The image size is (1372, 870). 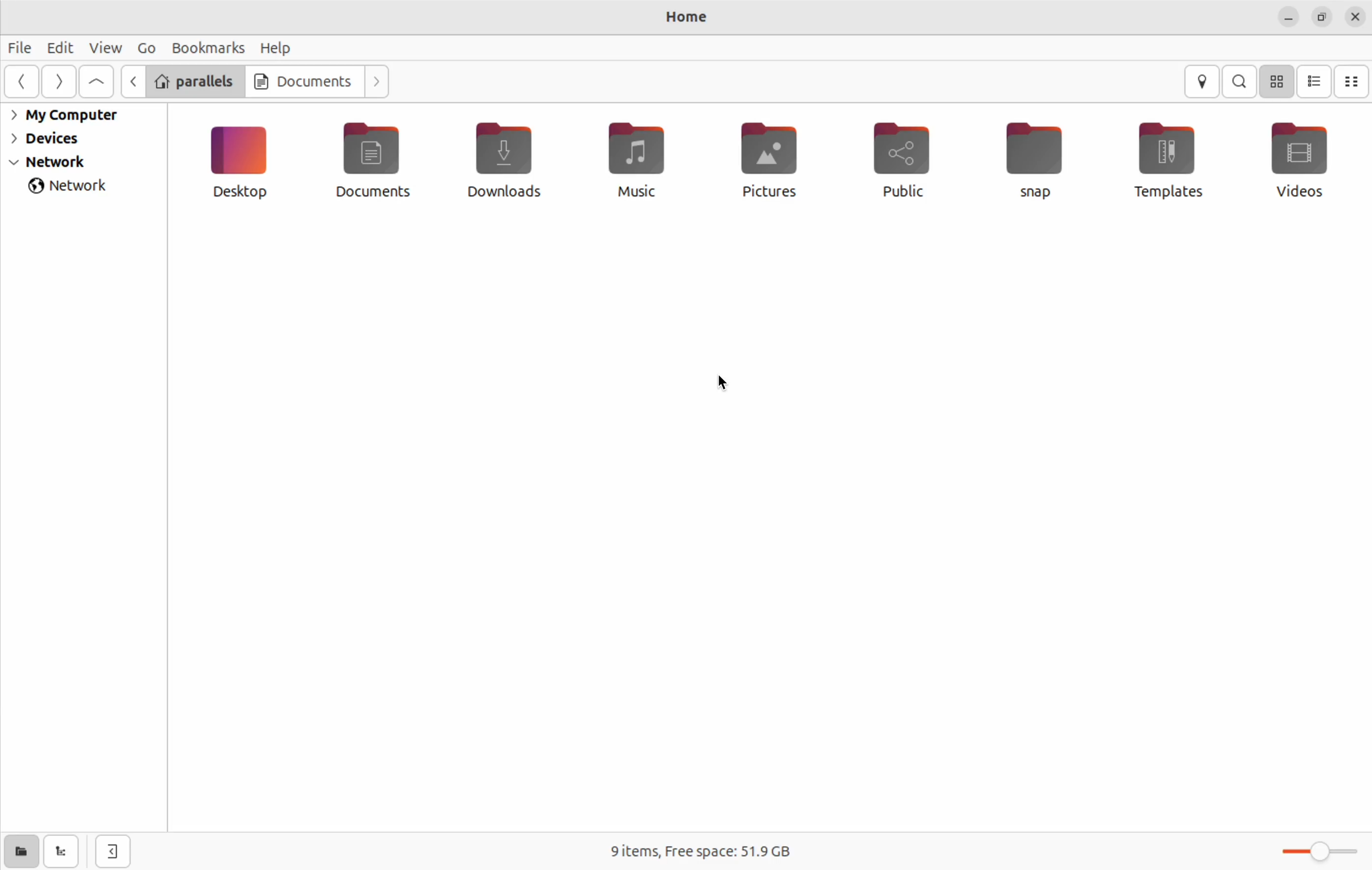 I want to click on help, so click(x=275, y=49).